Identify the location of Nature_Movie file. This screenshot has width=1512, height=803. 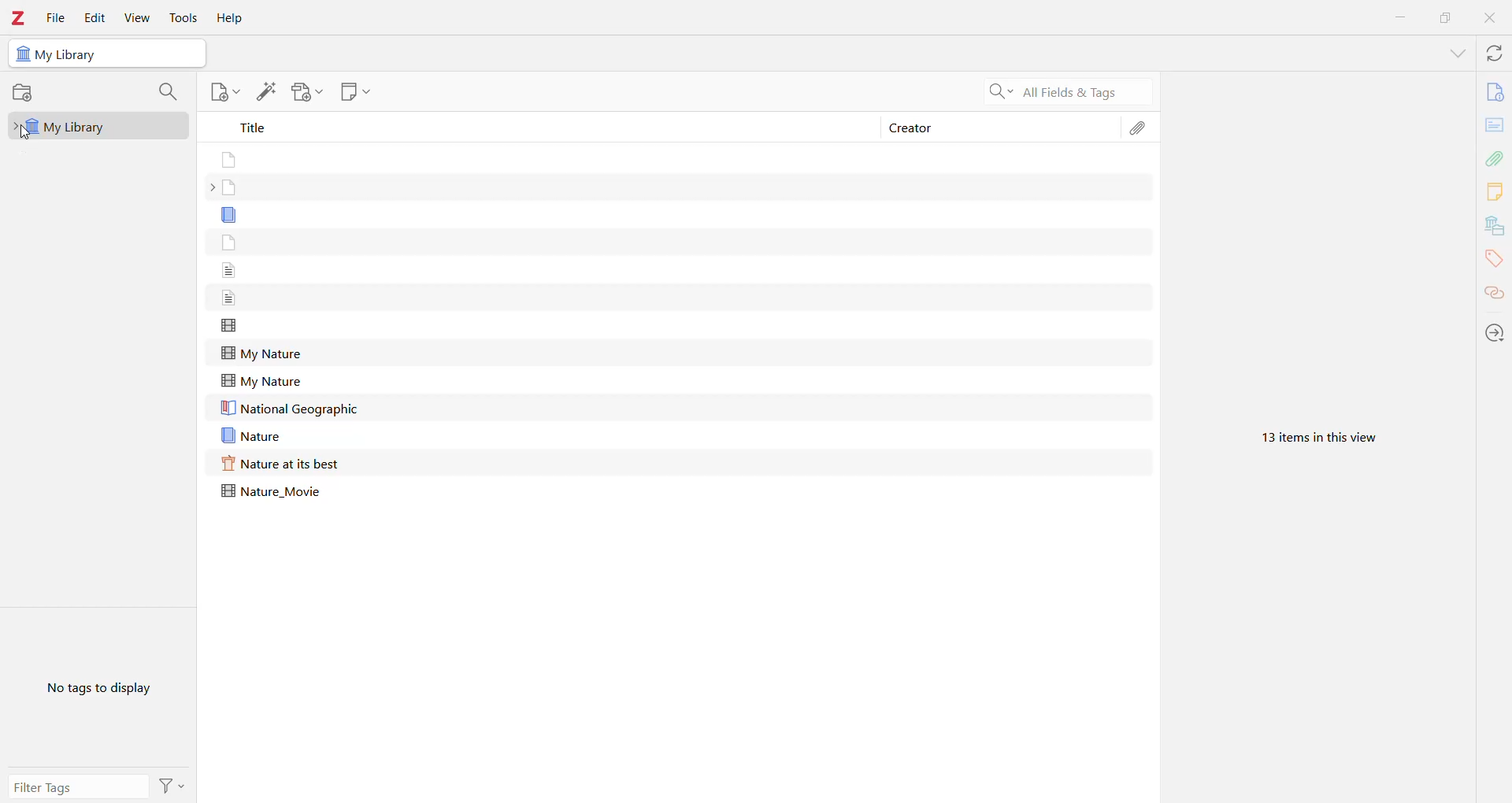
(272, 487).